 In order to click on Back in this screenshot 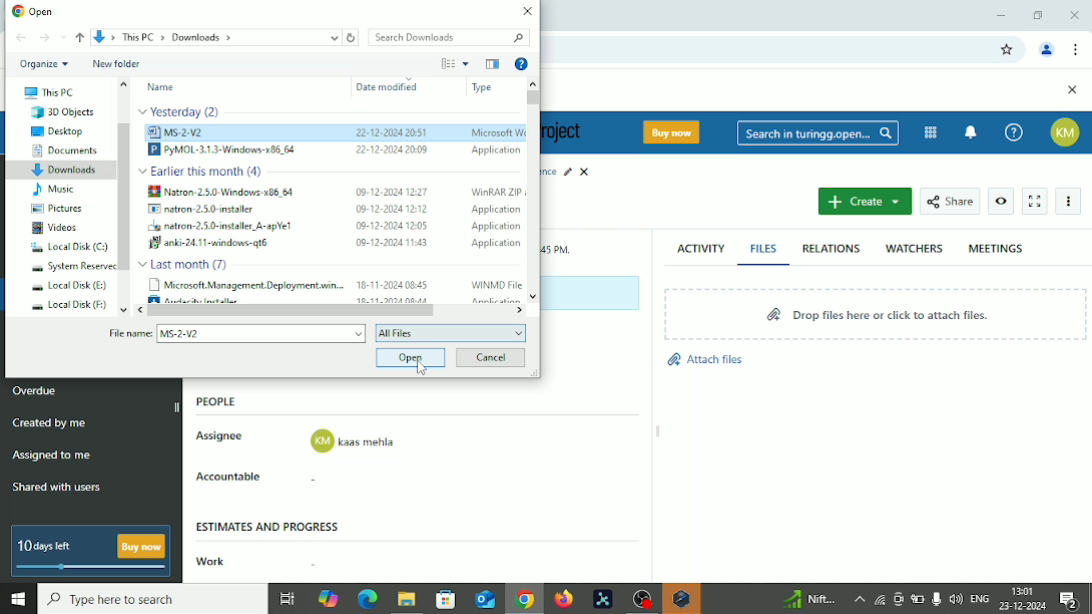, I will do `click(21, 37)`.